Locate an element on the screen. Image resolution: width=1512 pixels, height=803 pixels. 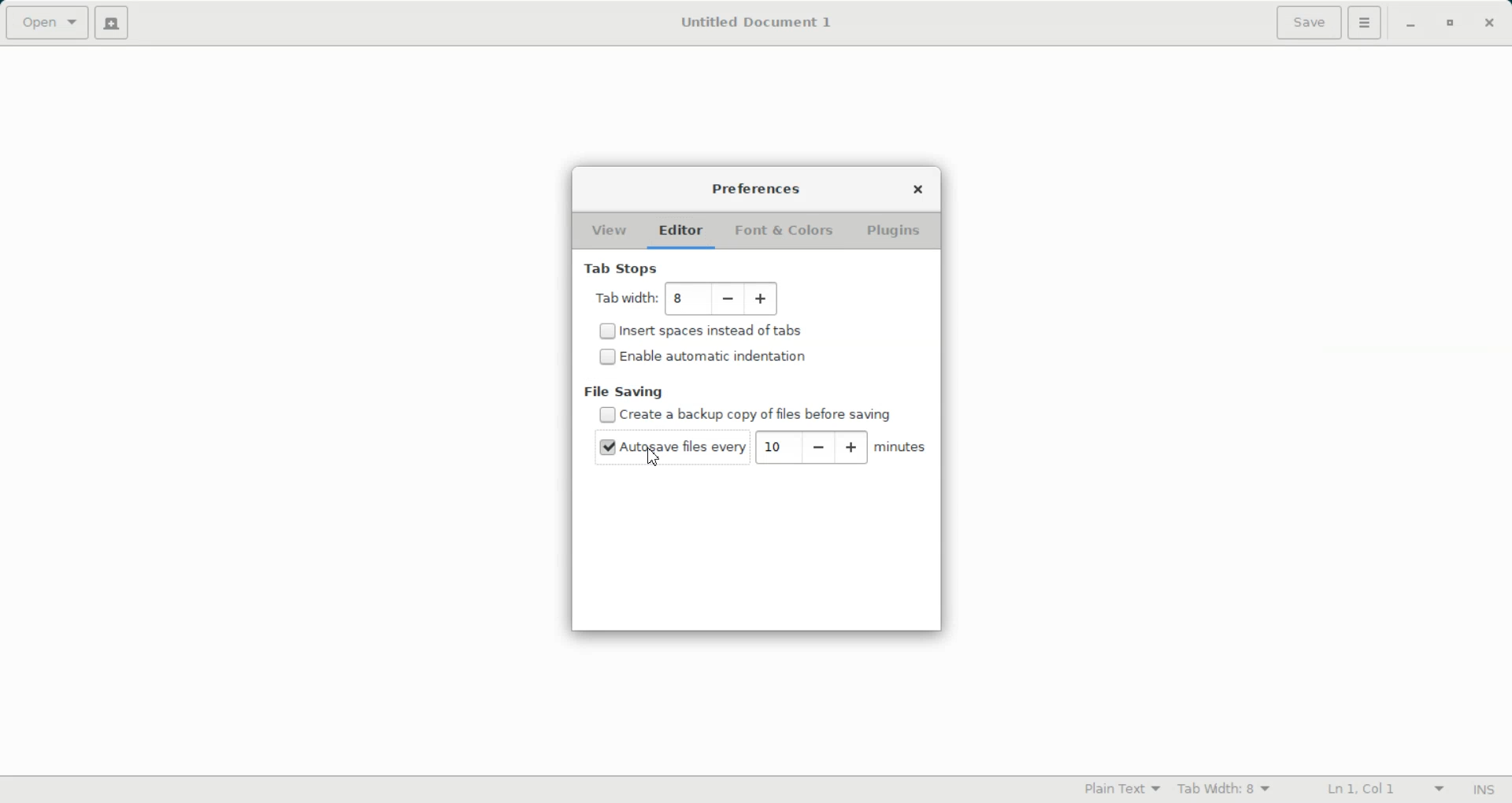
Plain Text is located at coordinates (1121, 788).